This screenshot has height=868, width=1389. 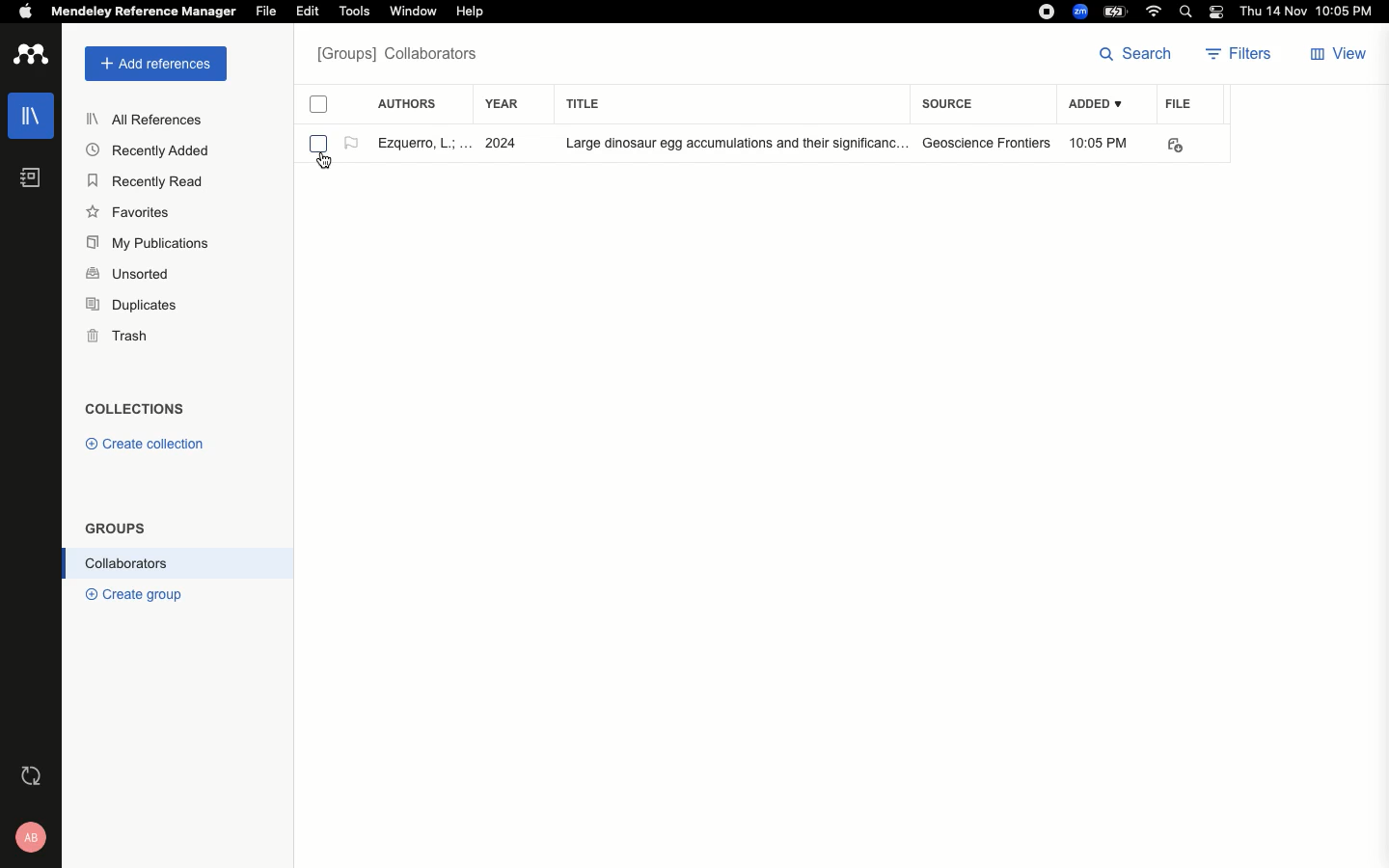 What do you see at coordinates (147, 443) in the screenshot?
I see `Create collection` at bounding box center [147, 443].